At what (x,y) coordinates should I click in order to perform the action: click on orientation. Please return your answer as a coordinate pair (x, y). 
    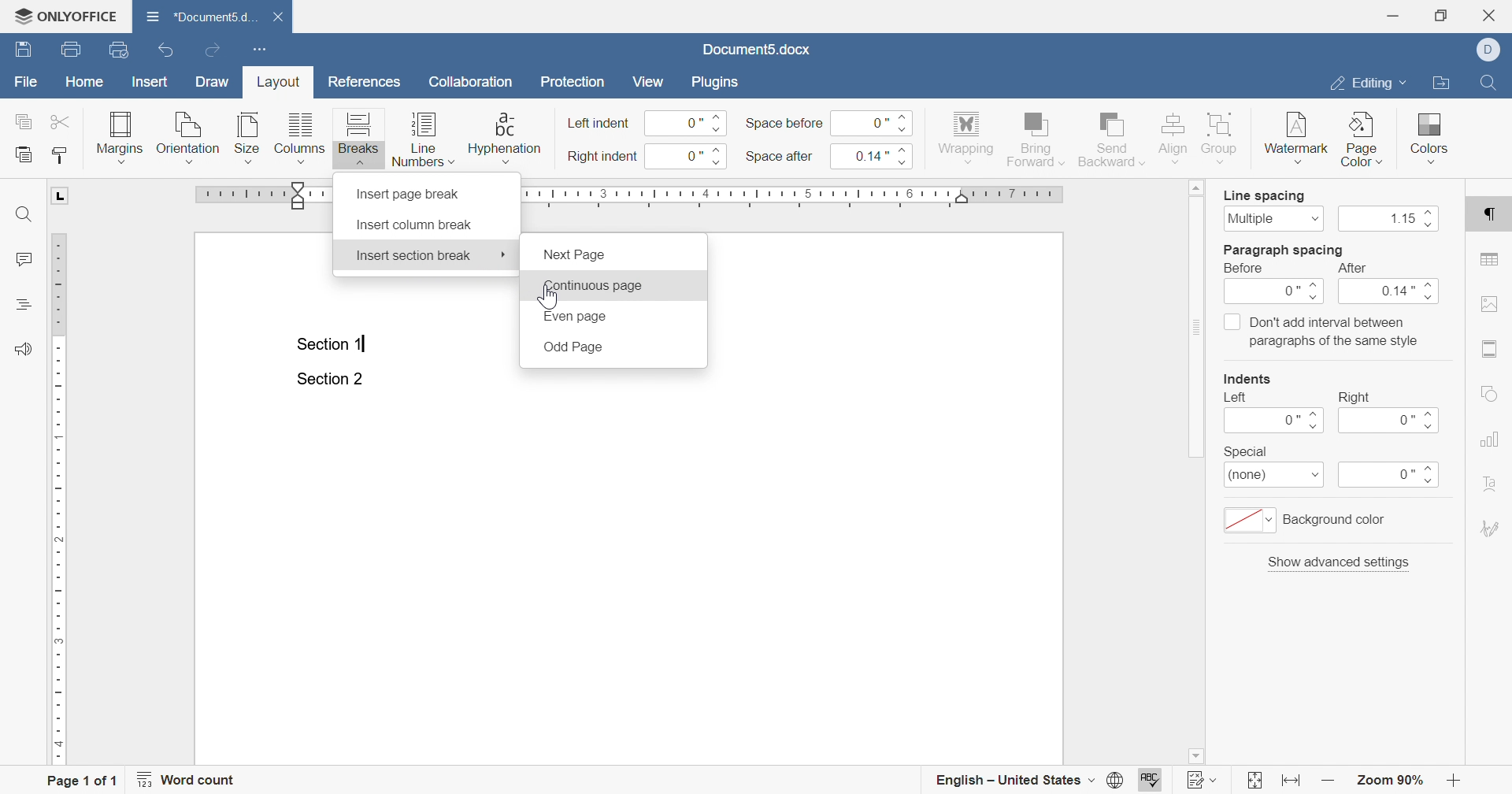
    Looking at the image, I should click on (188, 136).